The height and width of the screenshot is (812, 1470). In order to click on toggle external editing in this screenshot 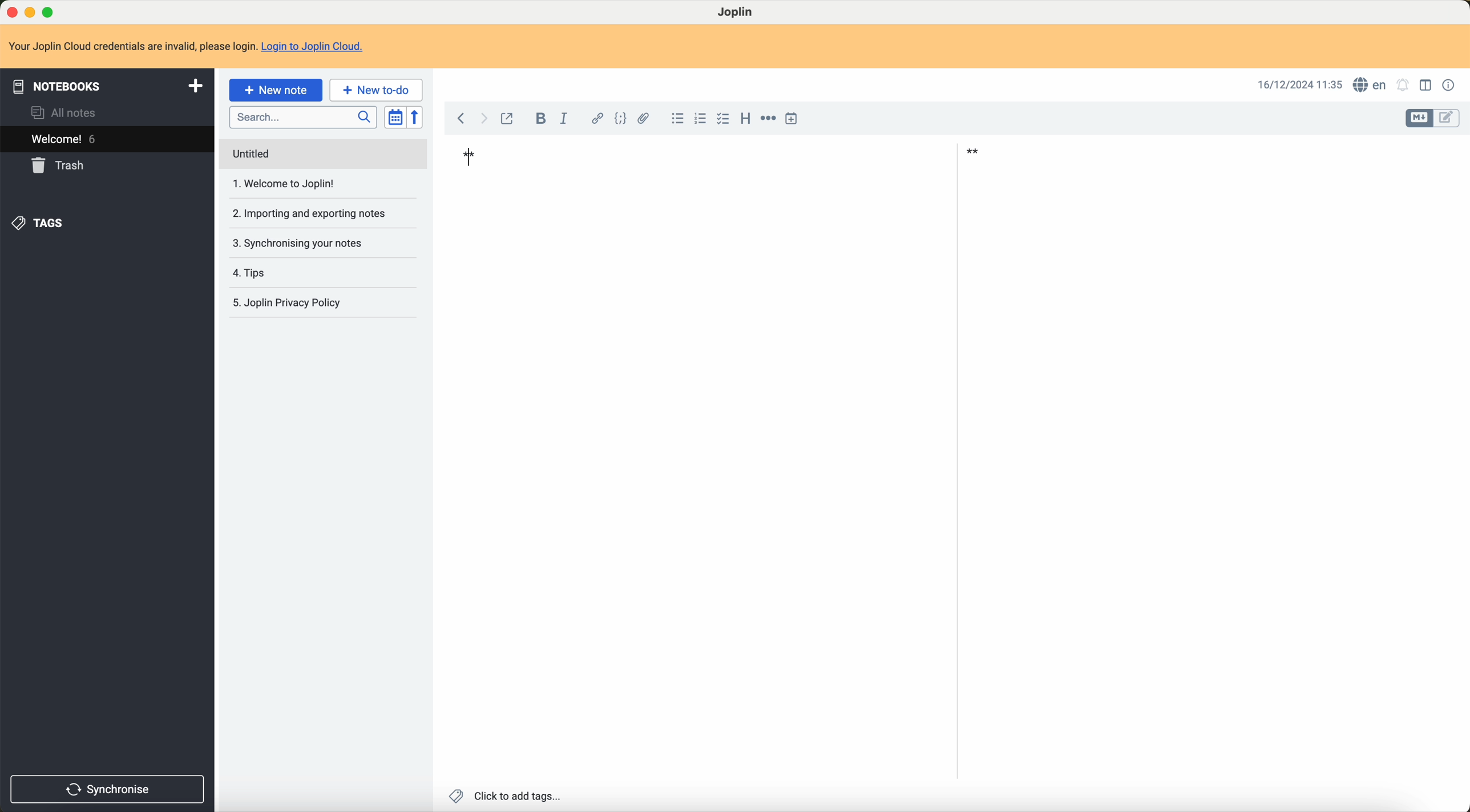, I will do `click(511, 119)`.